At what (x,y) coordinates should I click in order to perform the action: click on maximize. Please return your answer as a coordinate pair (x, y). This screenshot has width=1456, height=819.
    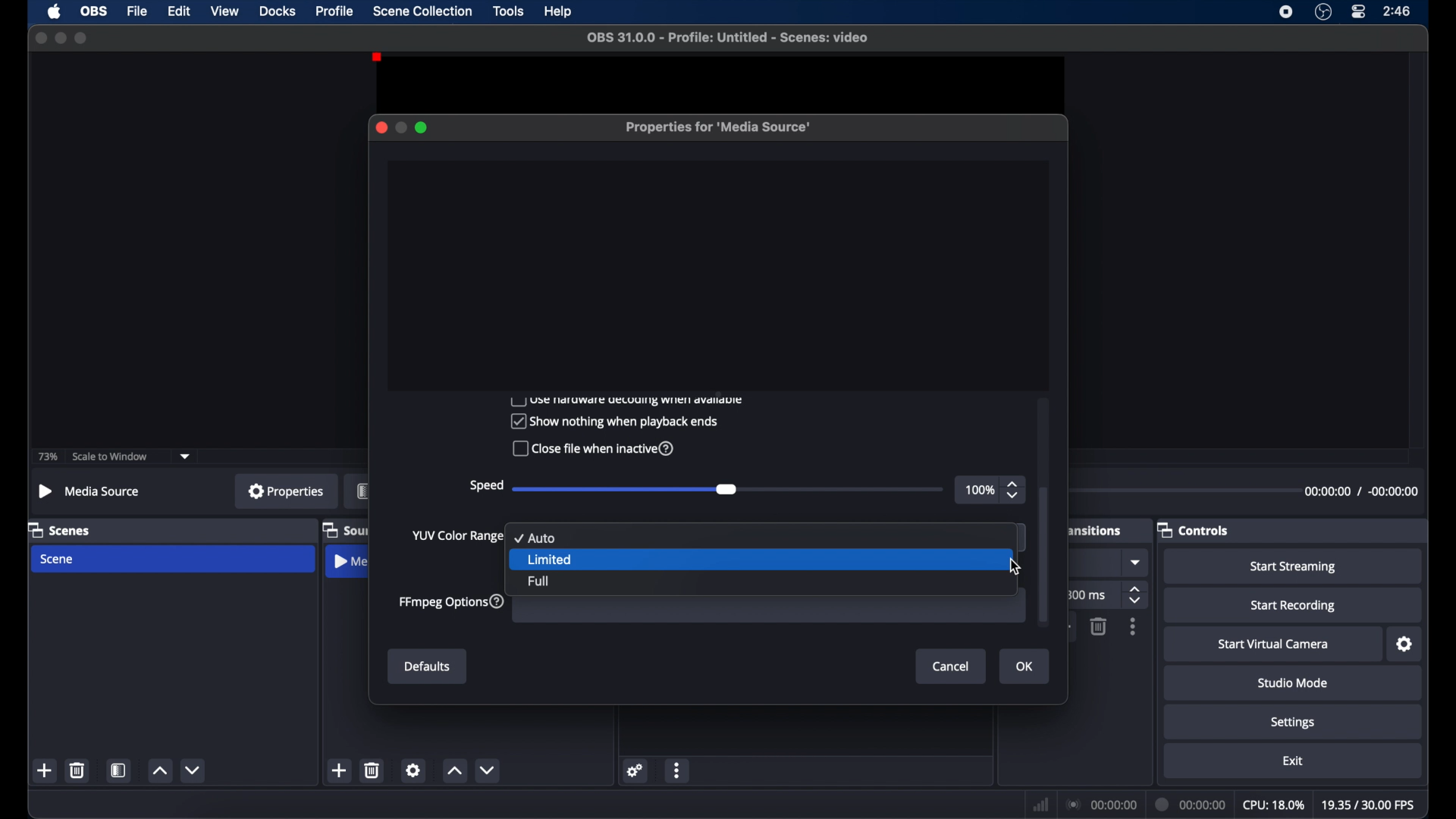
    Looking at the image, I should click on (82, 39).